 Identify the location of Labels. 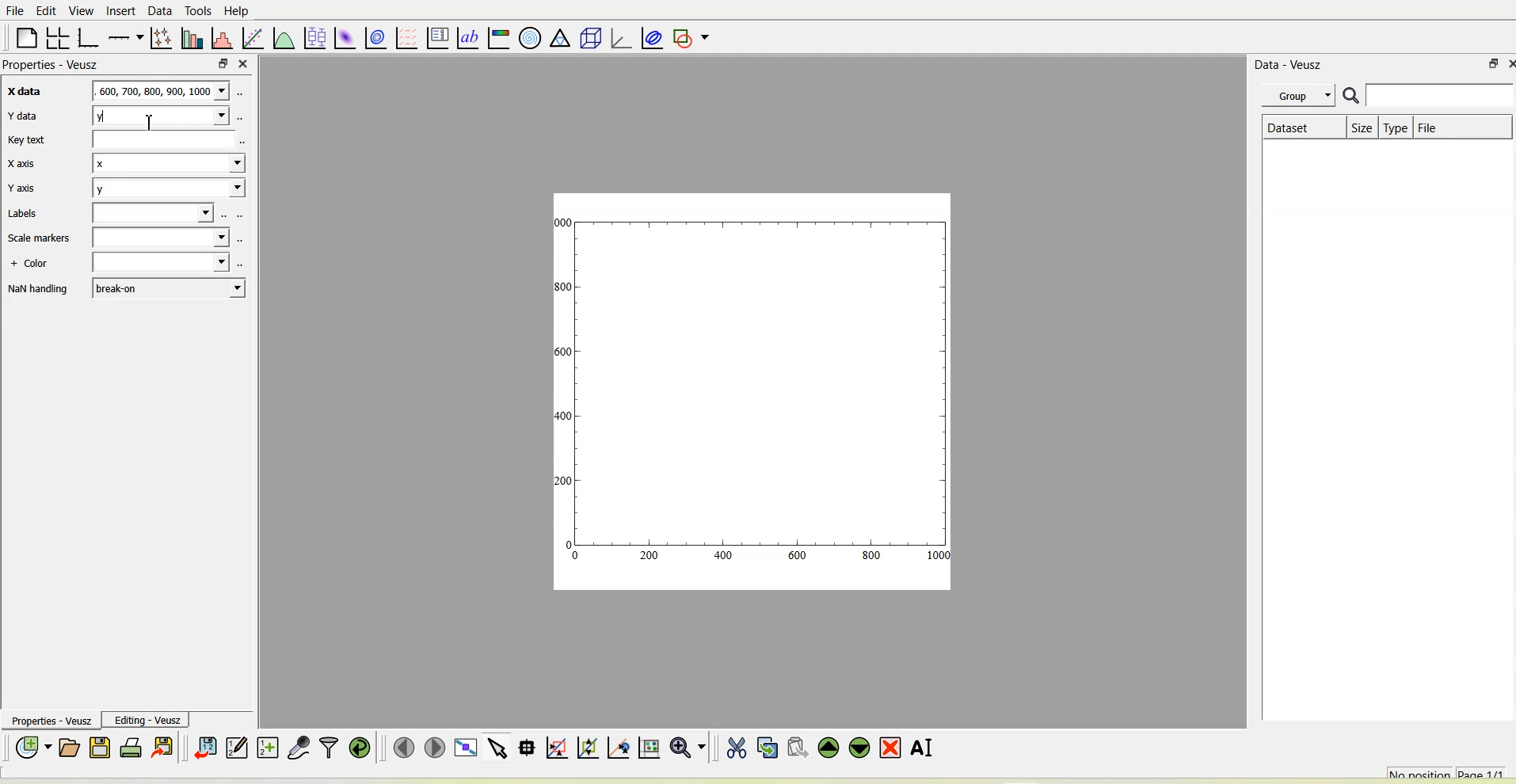
(23, 213).